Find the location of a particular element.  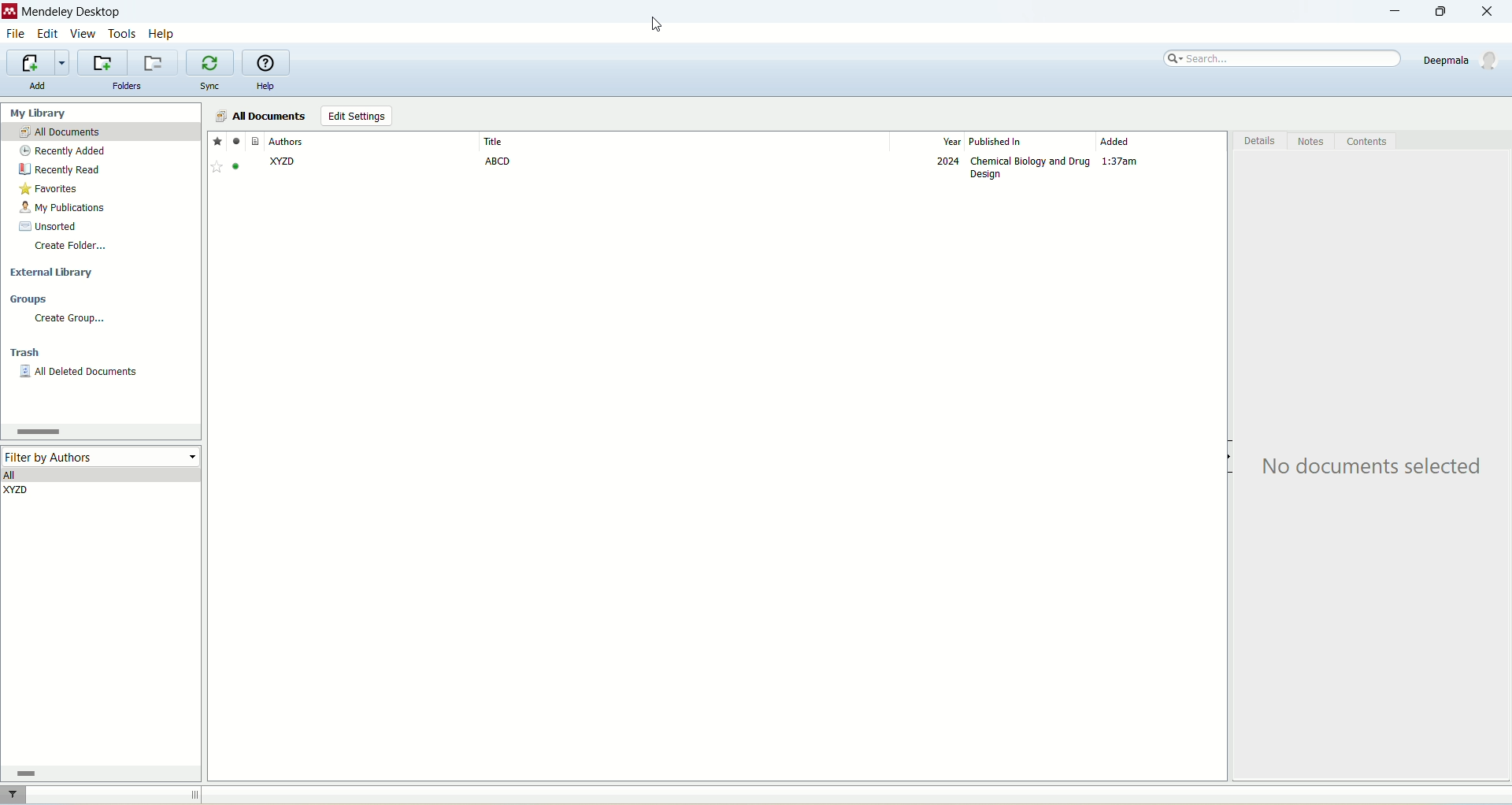

favorites is located at coordinates (217, 140).